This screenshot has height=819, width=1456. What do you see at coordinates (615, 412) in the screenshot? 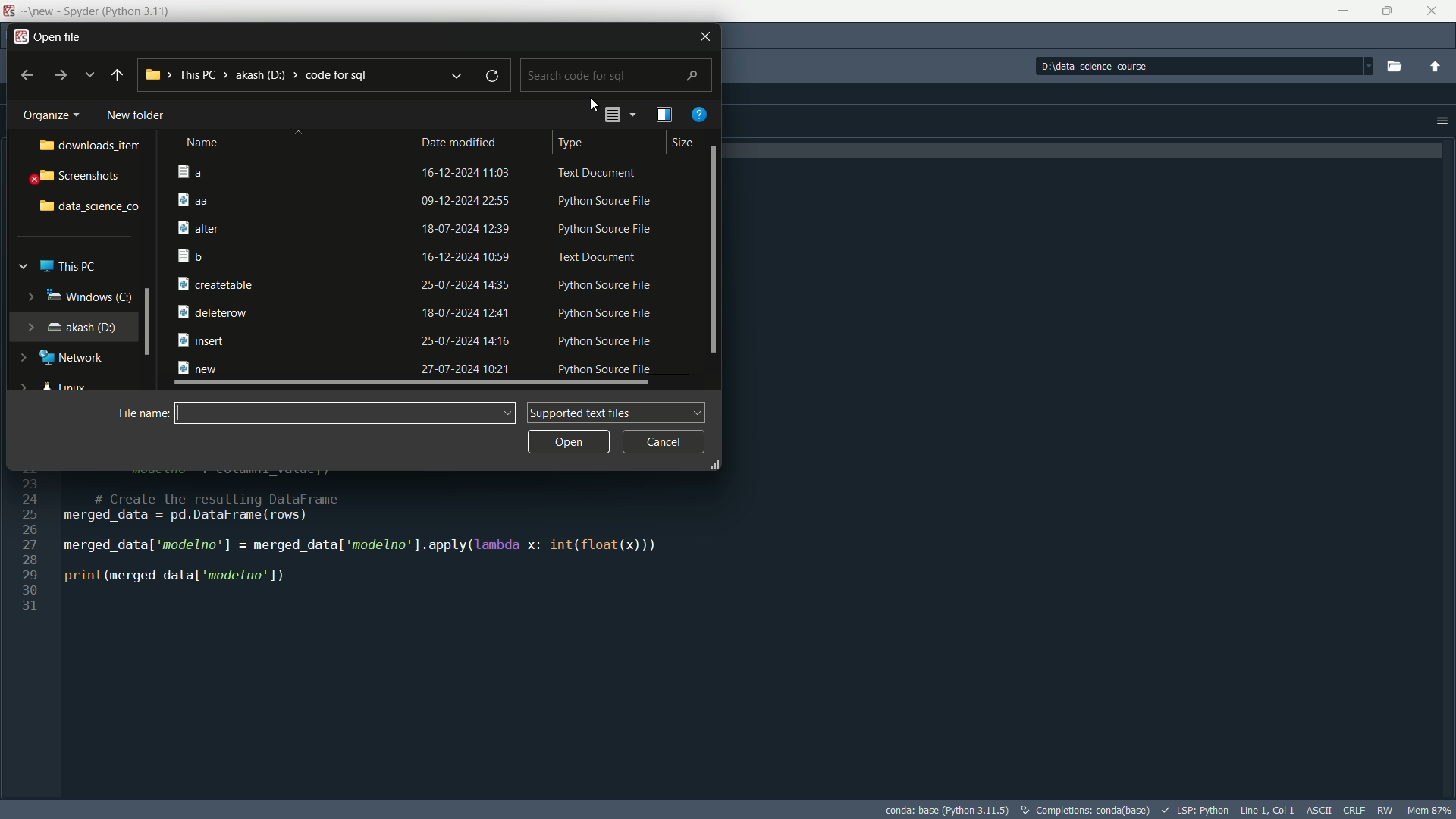
I see `supported text files` at bounding box center [615, 412].